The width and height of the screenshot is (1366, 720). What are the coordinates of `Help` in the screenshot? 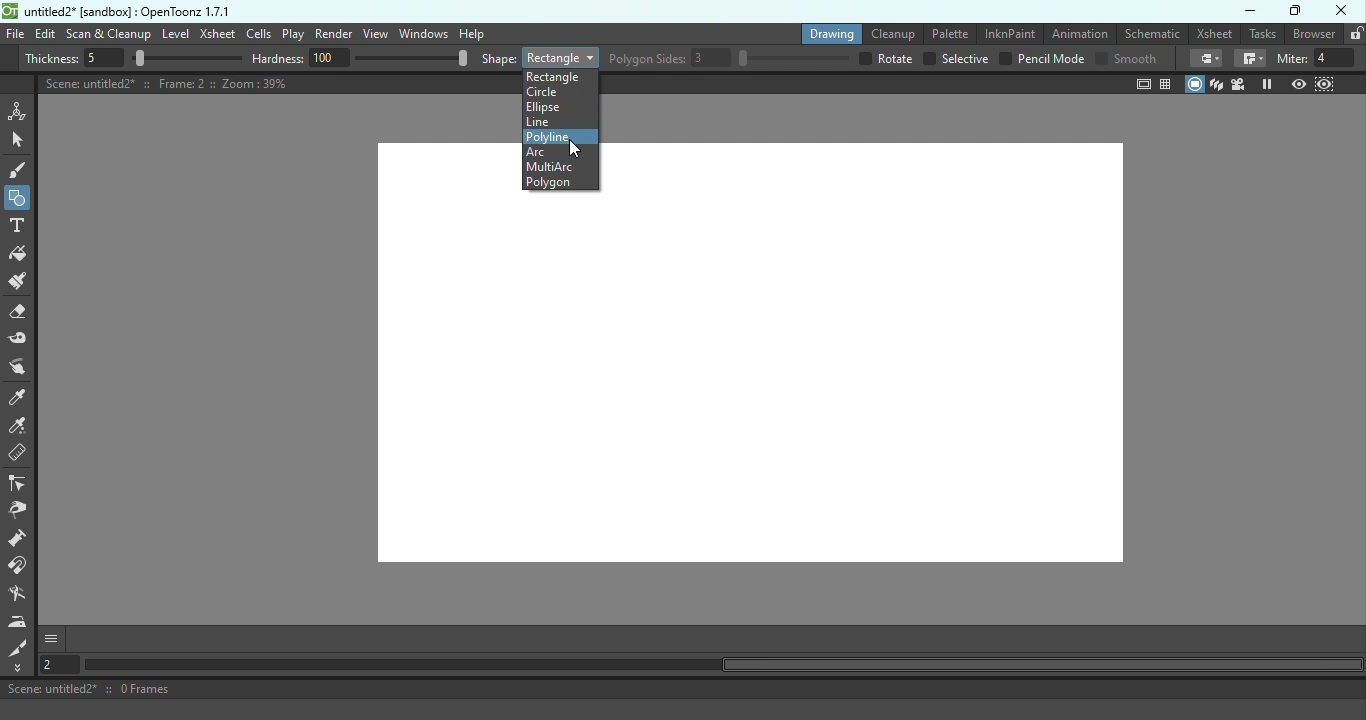 It's located at (471, 33).